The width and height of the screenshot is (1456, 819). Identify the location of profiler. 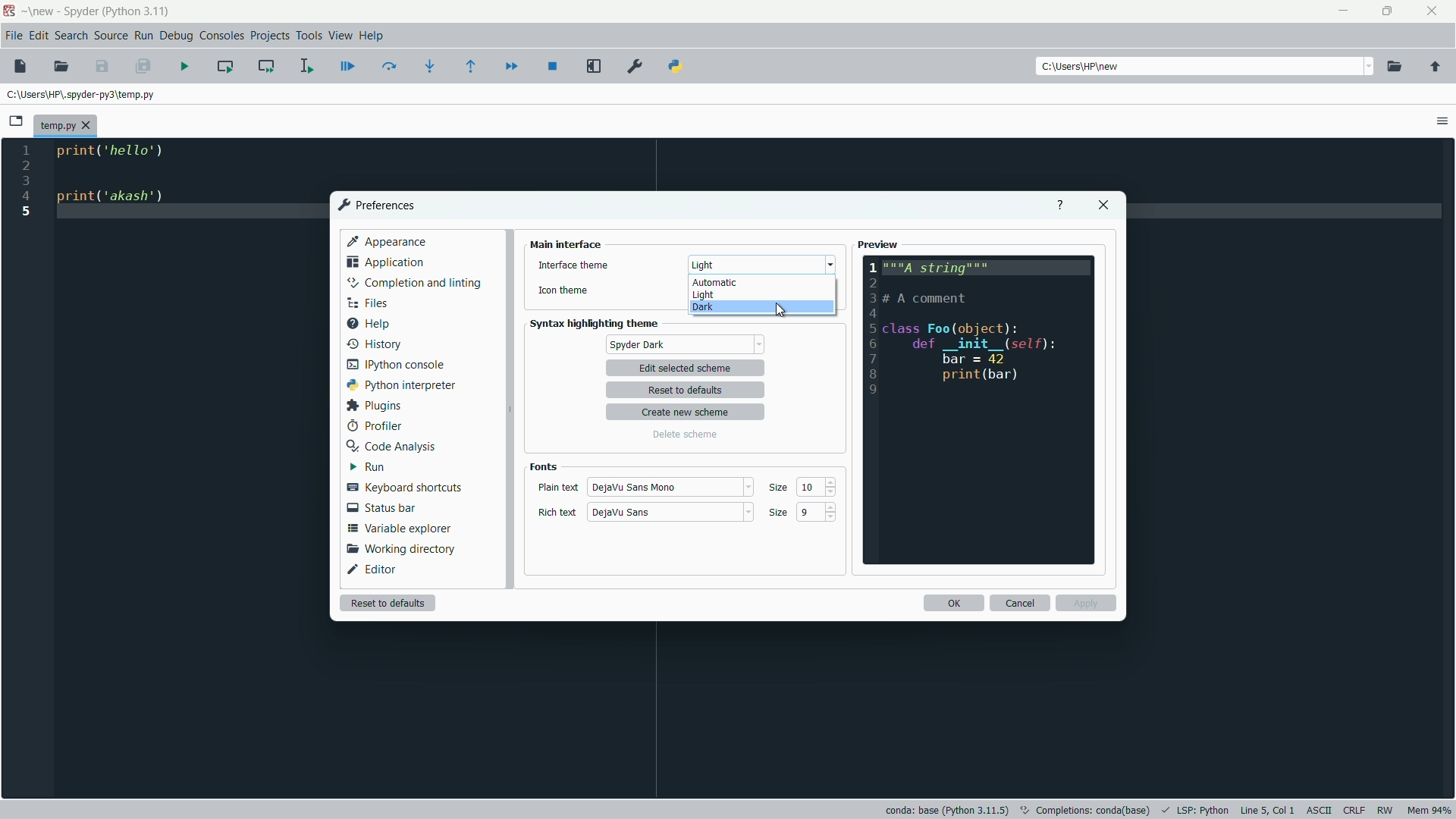
(373, 426).